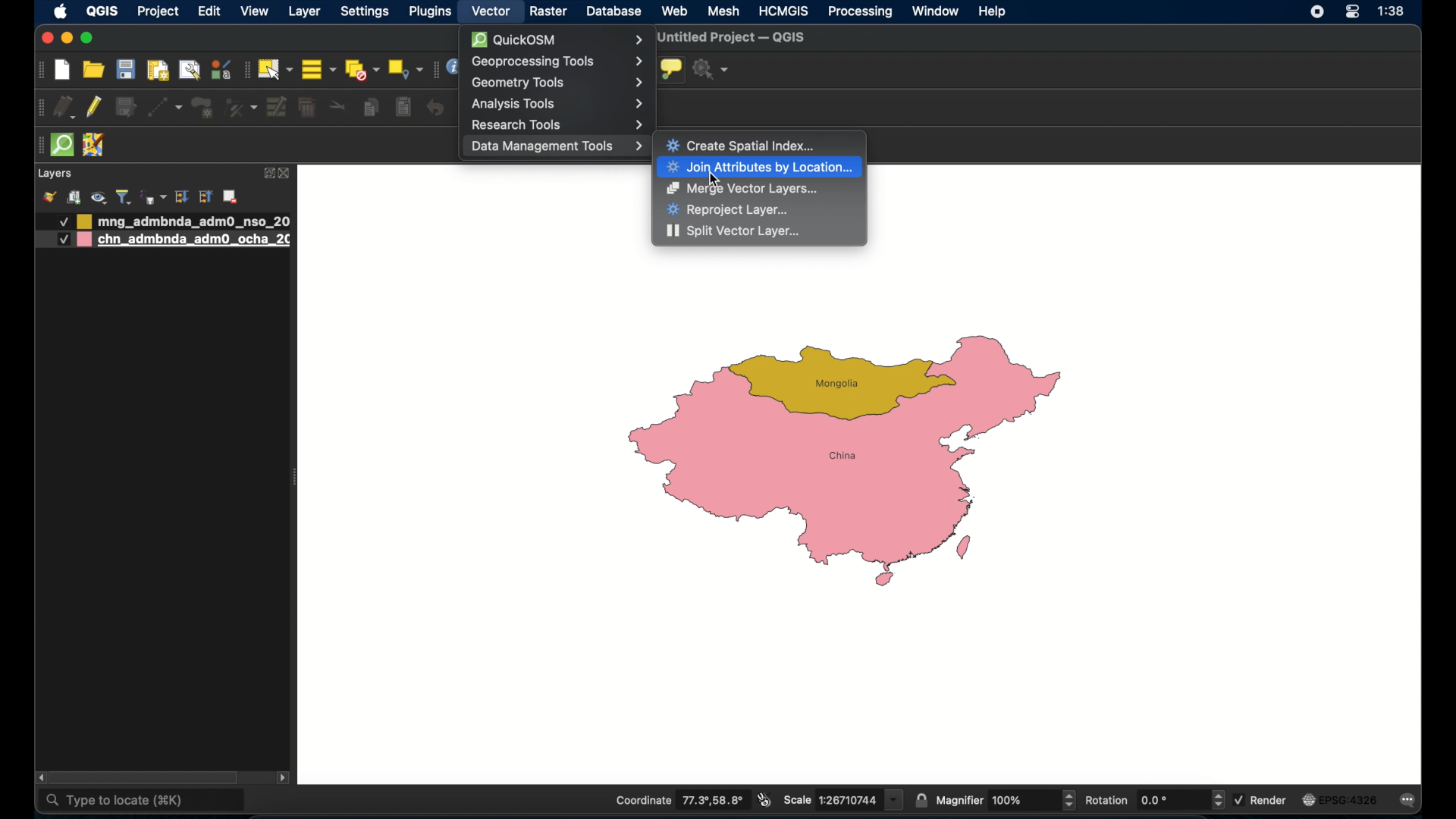  Describe the element at coordinates (717, 180) in the screenshot. I see `cursor` at that location.